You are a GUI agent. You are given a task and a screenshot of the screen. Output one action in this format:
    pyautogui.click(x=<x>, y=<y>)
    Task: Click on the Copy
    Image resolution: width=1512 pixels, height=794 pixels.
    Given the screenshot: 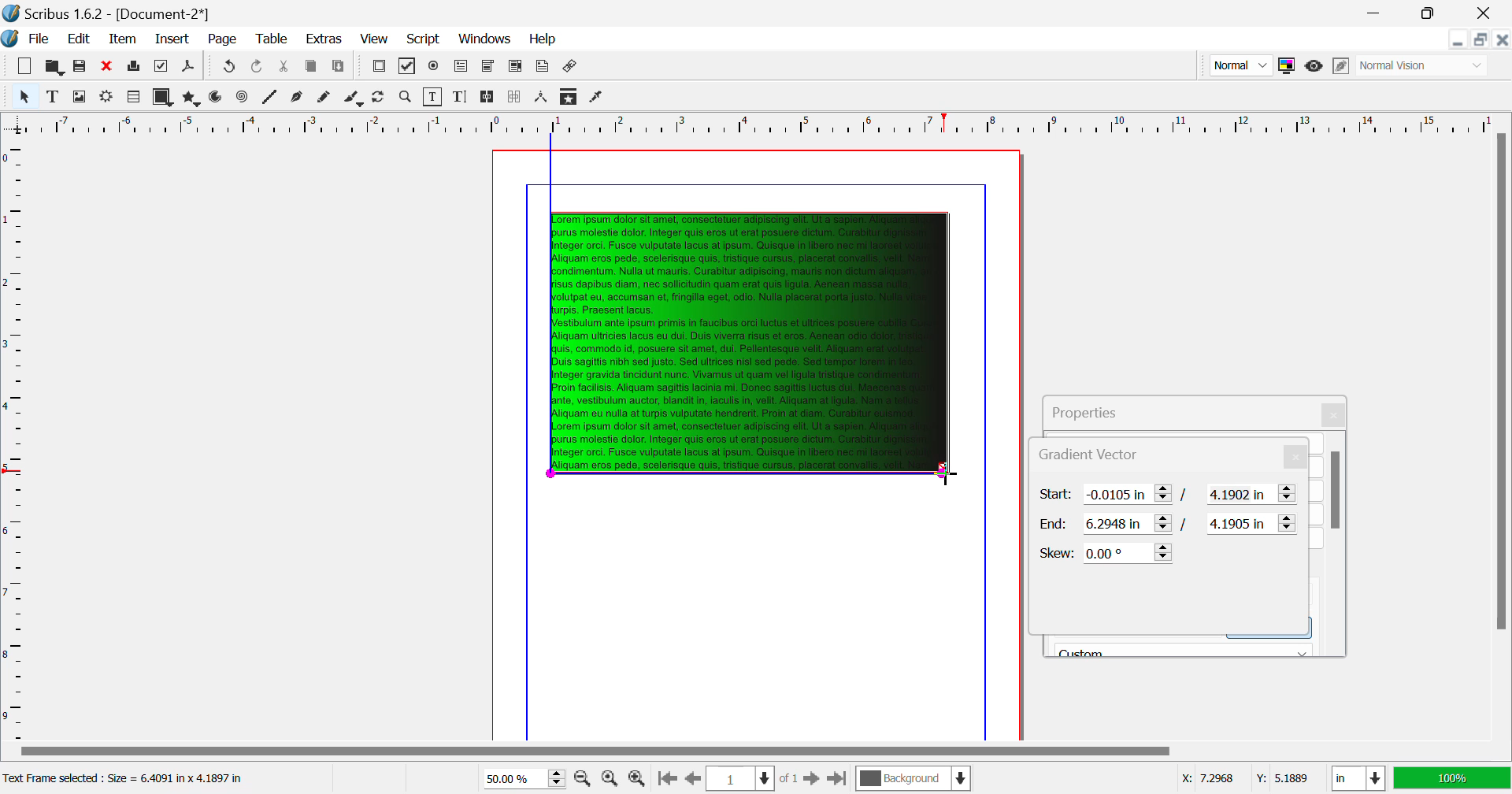 What is the action you would take?
    pyautogui.click(x=312, y=69)
    